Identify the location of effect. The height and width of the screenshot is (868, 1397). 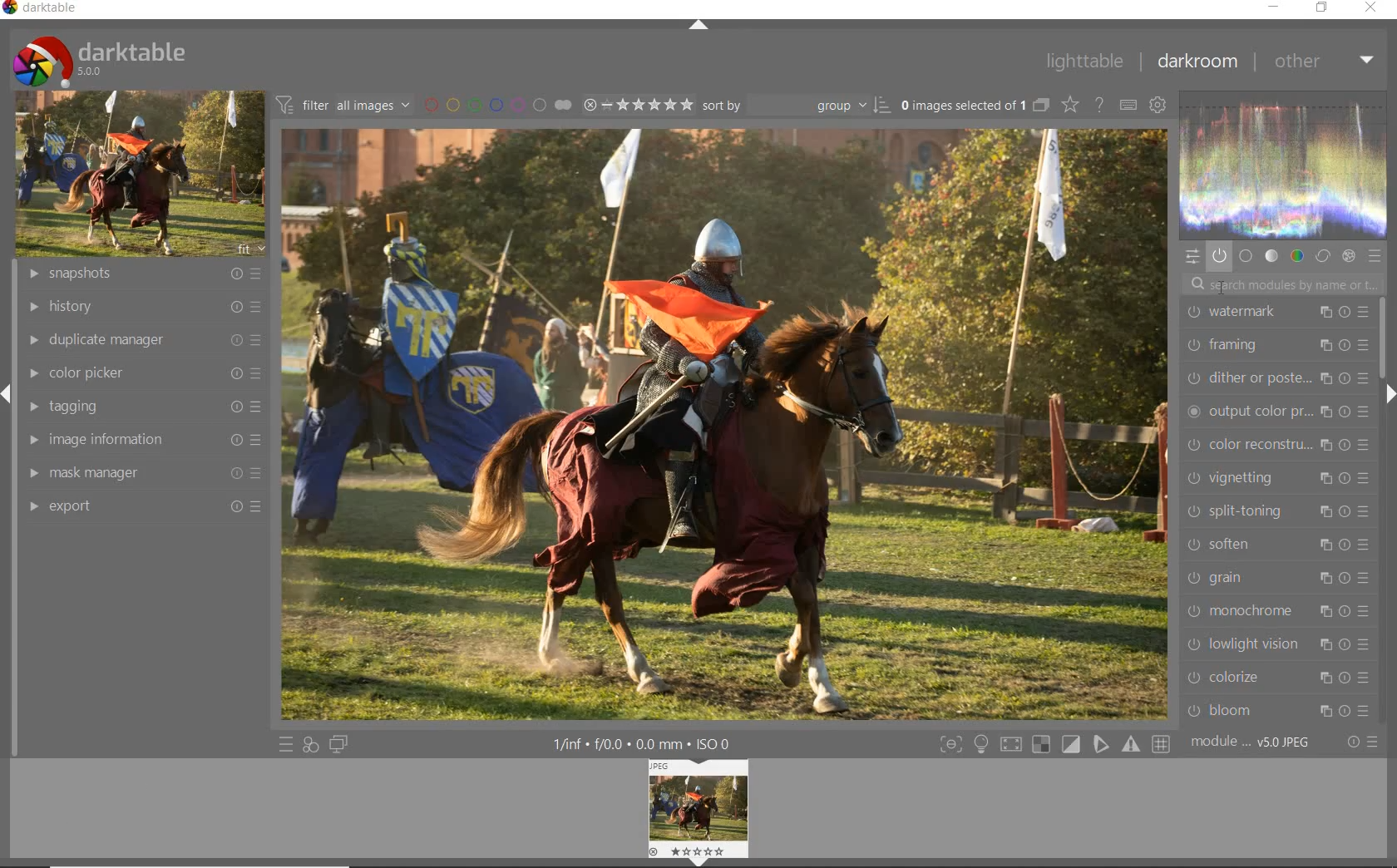
(1347, 256).